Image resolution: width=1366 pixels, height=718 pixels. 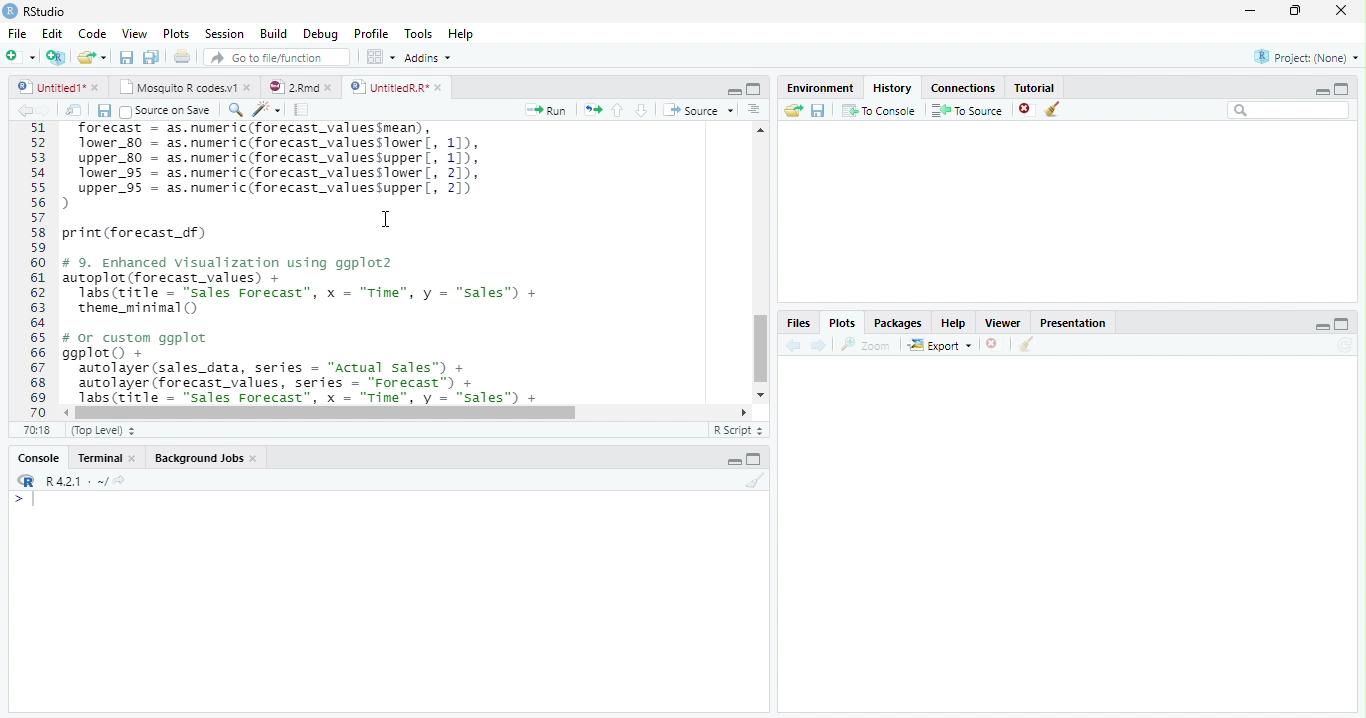 I want to click on Delete, so click(x=992, y=343).